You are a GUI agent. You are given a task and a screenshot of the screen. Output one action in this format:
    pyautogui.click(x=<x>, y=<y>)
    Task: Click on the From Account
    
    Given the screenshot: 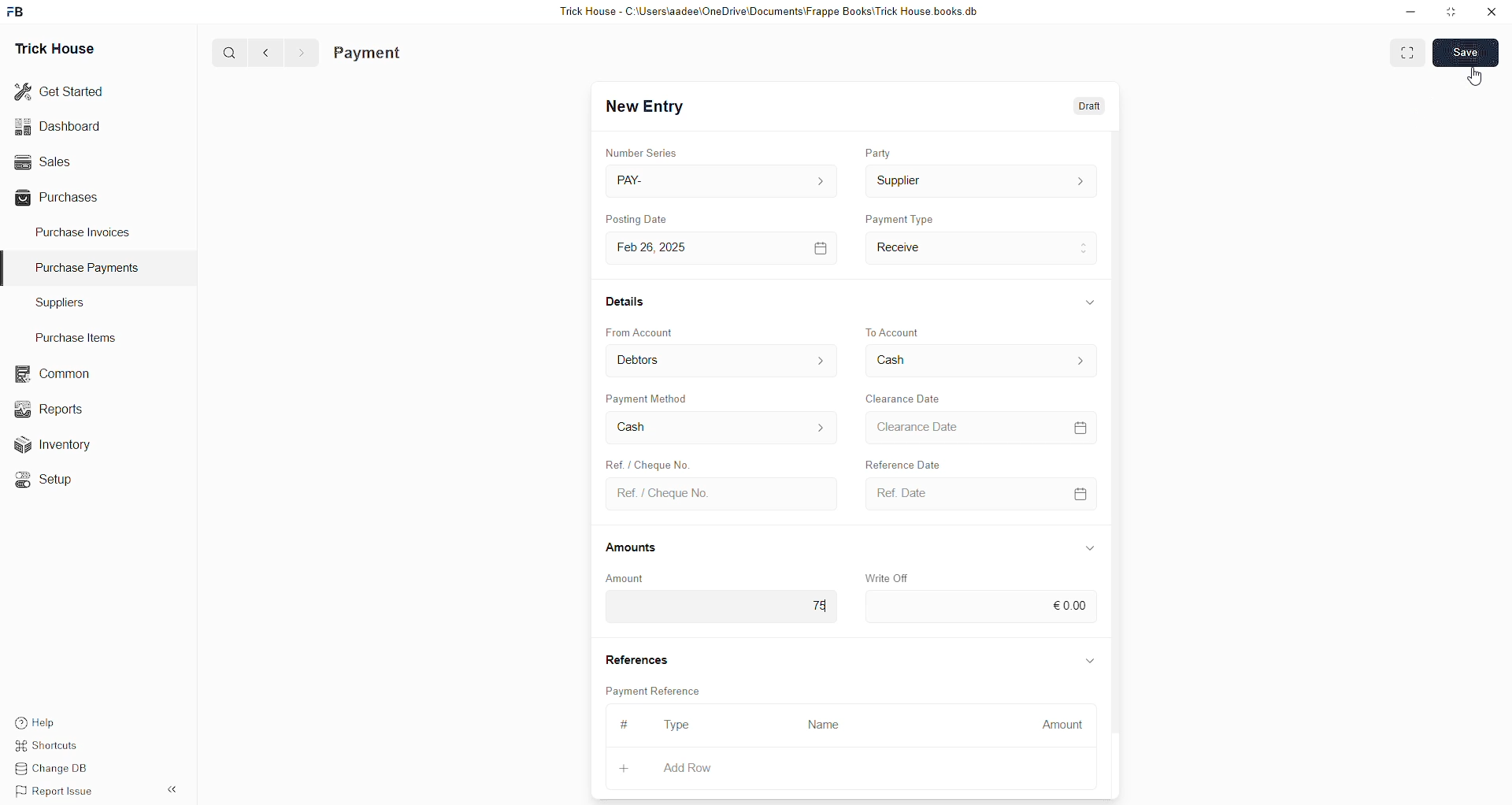 What is the action you would take?
    pyautogui.click(x=642, y=331)
    